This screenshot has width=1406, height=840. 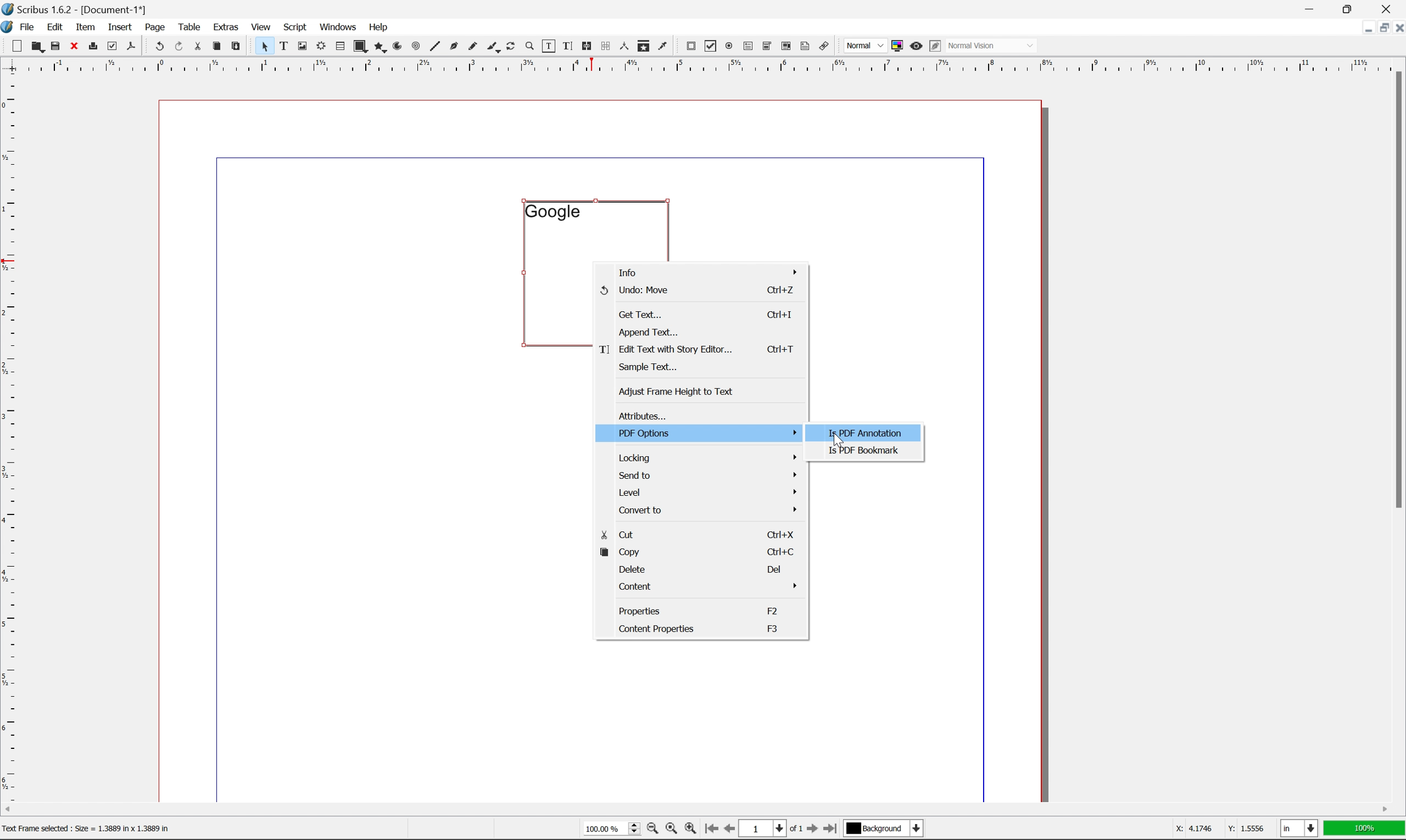 I want to click on zoom to 100%, so click(x=670, y=830).